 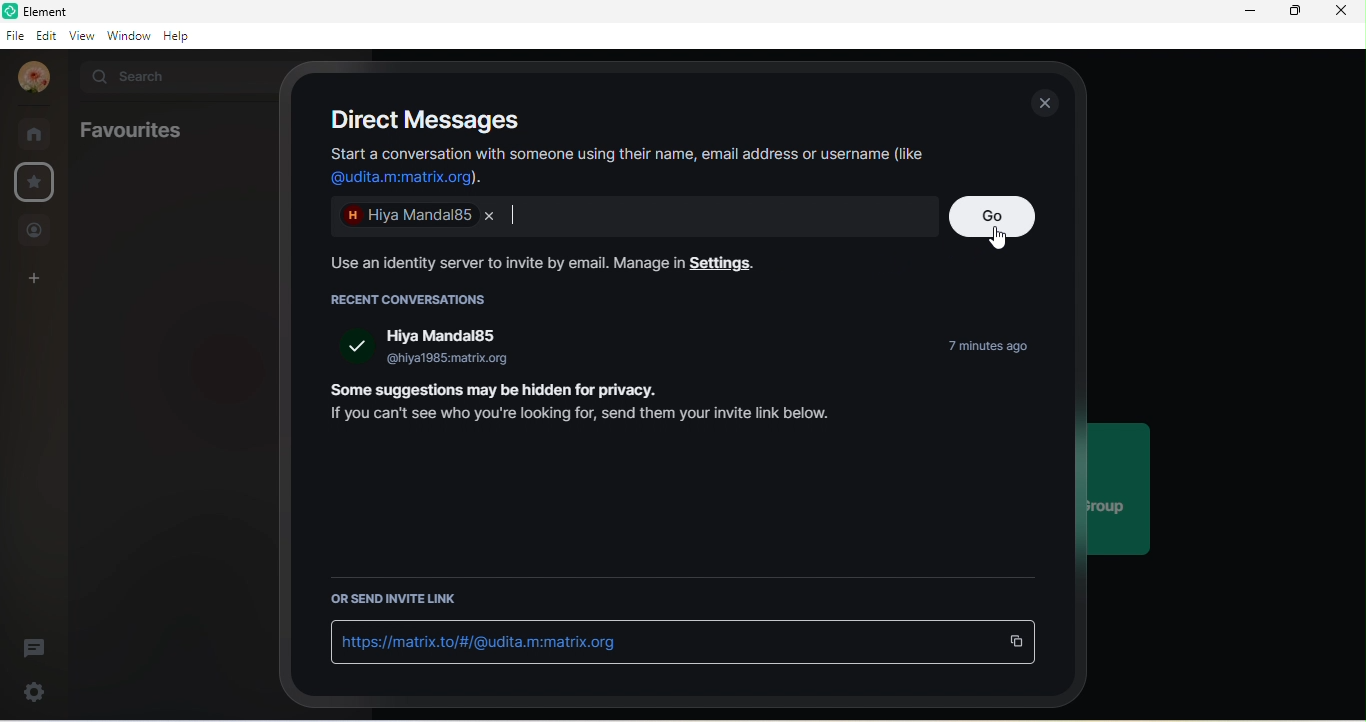 What do you see at coordinates (11, 10) in the screenshot?
I see `Logo` at bounding box center [11, 10].